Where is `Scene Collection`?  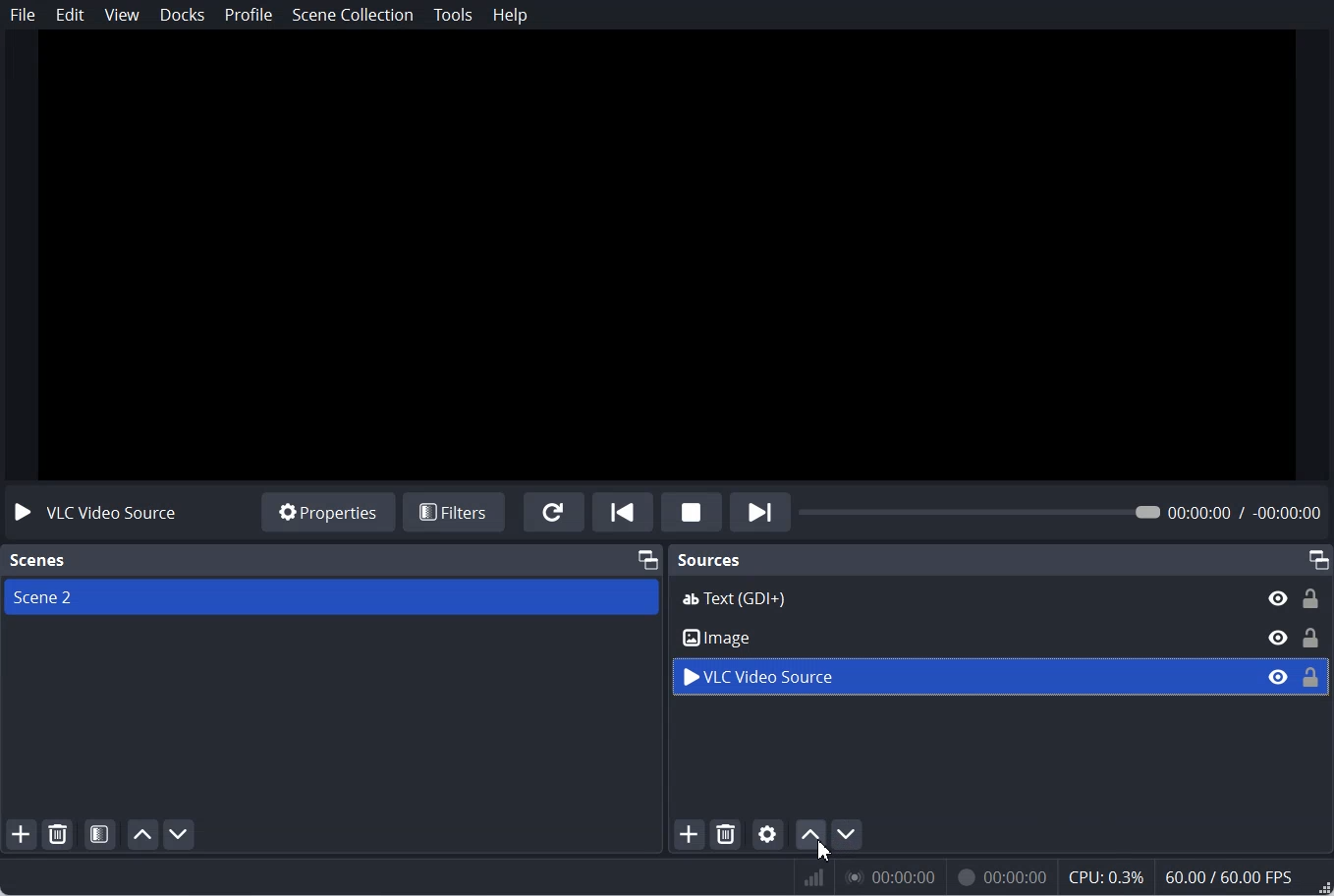 Scene Collection is located at coordinates (354, 14).